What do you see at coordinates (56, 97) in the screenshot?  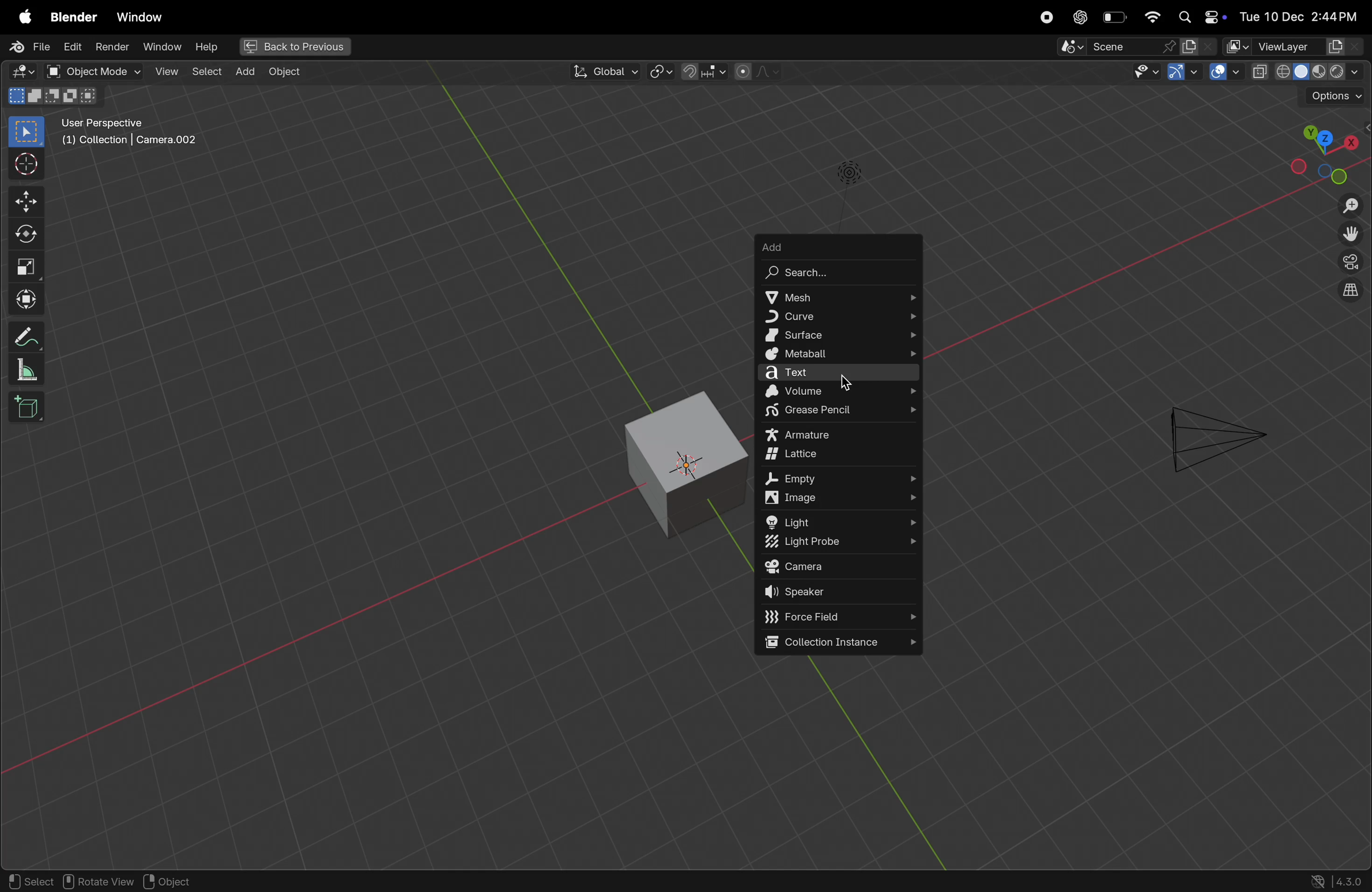 I see `modes` at bounding box center [56, 97].